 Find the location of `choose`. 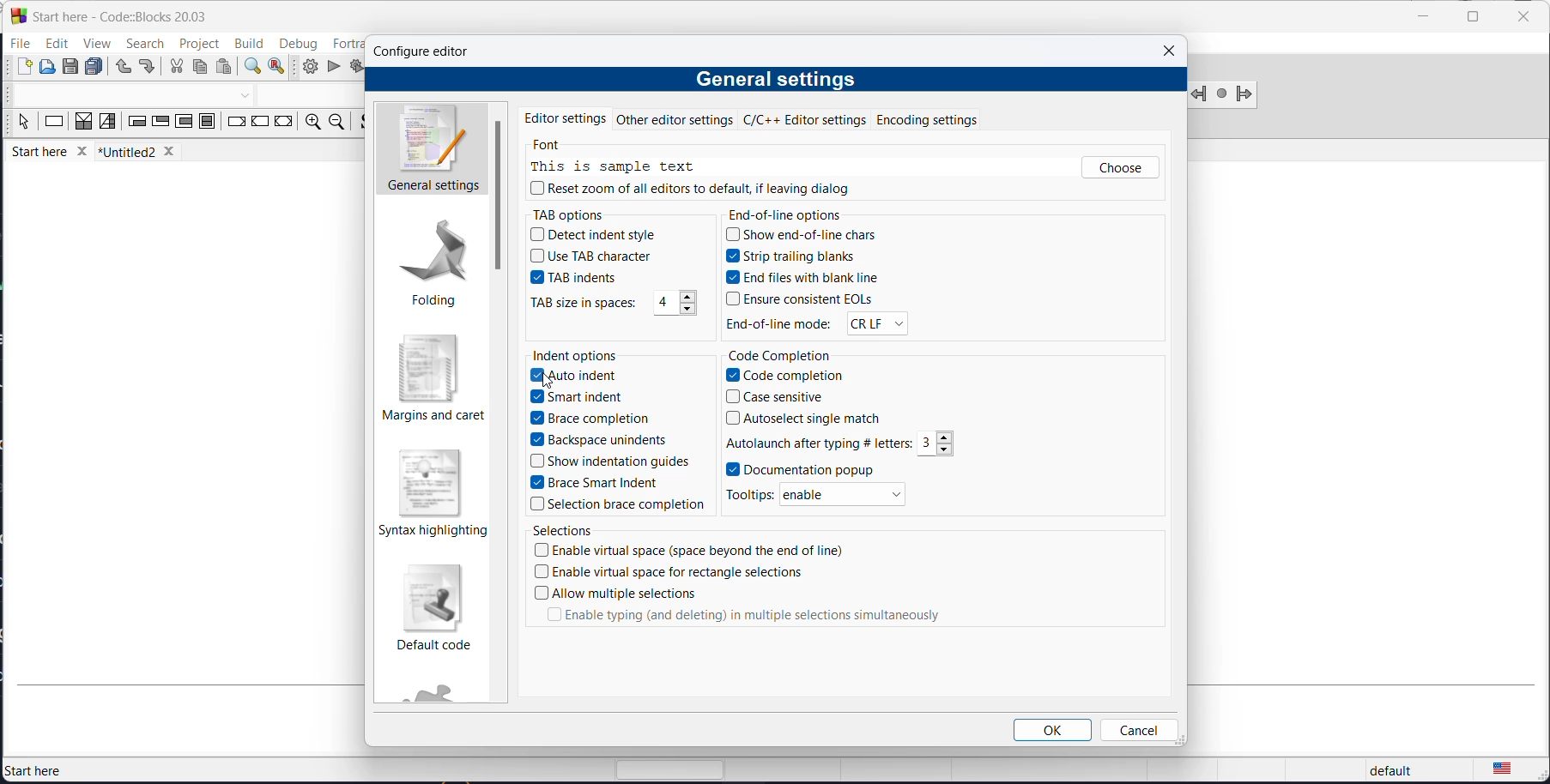

choose is located at coordinates (1119, 168).